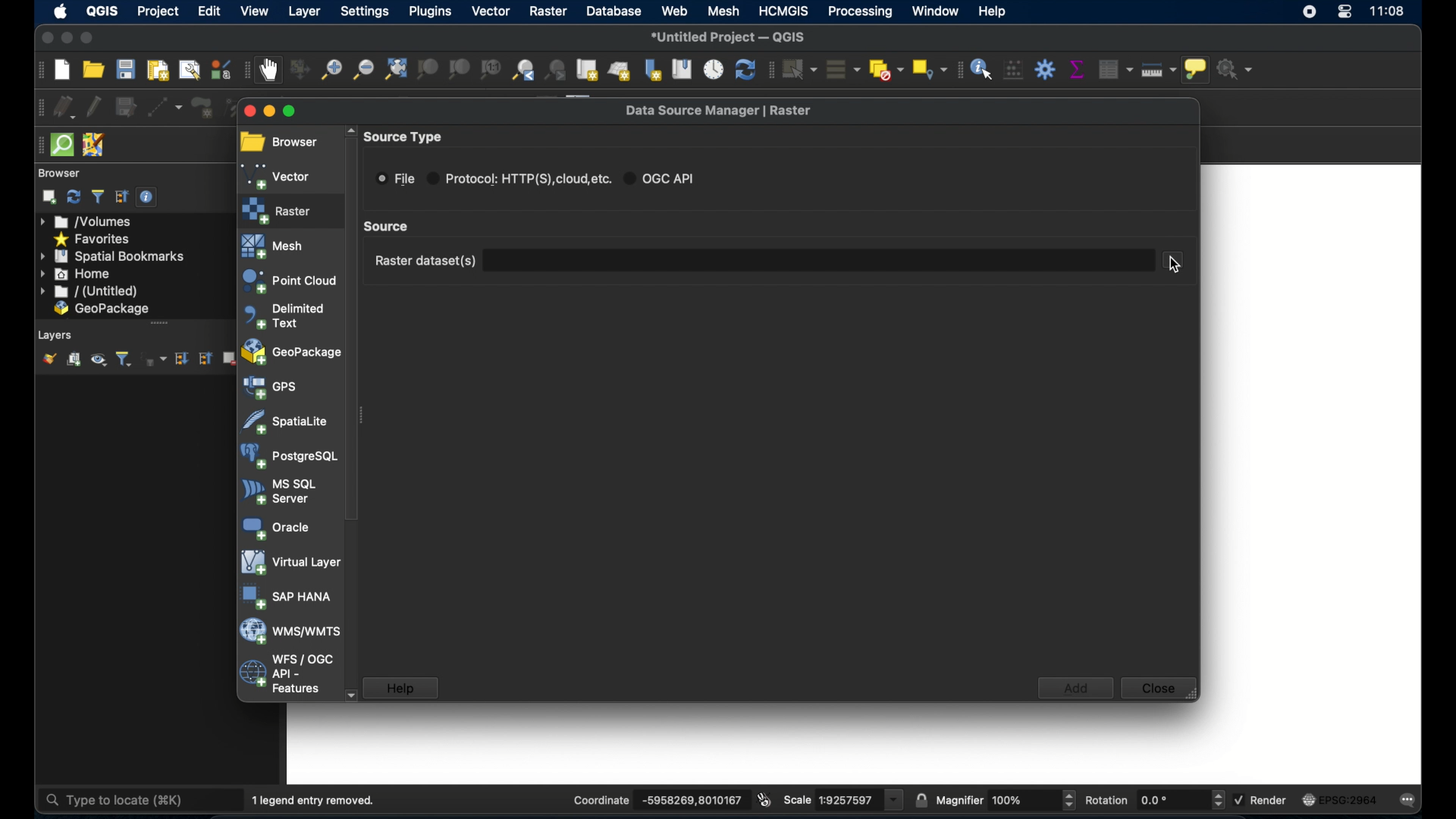 The image size is (1456, 819). Describe the element at coordinates (351, 130) in the screenshot. I see `scroll up arrow` at that location.